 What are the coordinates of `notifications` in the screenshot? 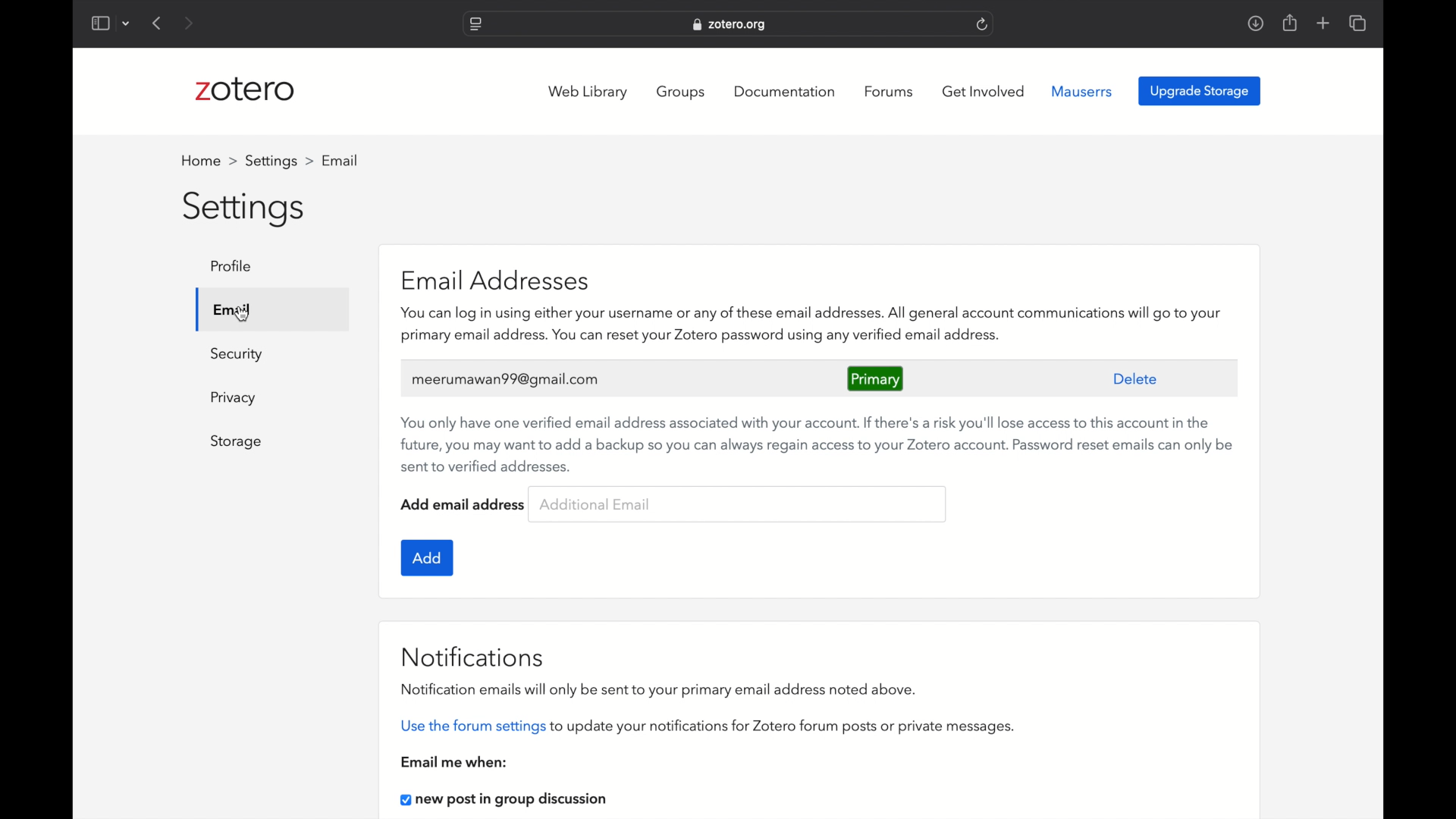 It's located at (472, 657).